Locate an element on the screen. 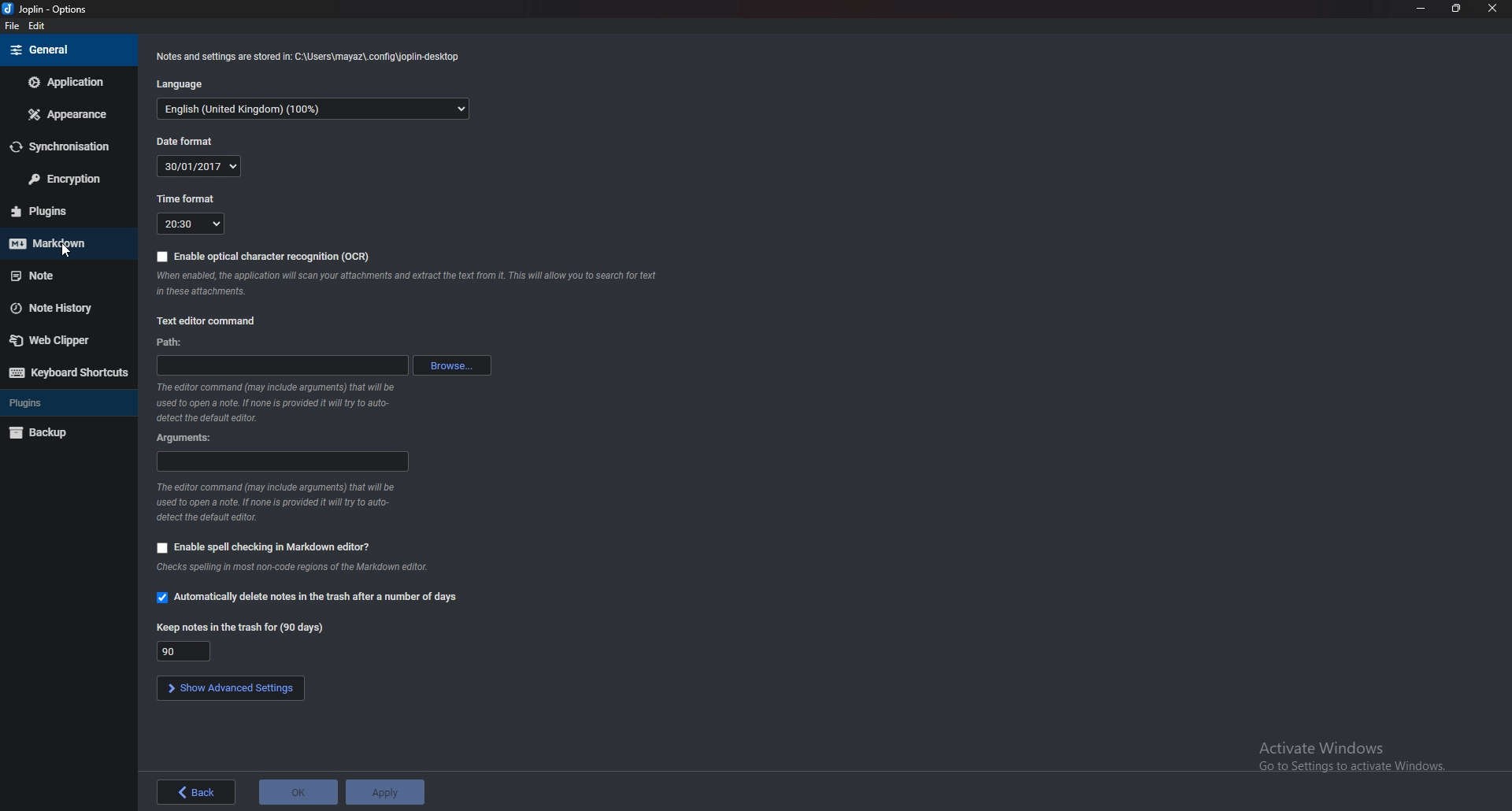 Image resolution: width=1512 pixels, height=811 pixels. web clipper is located at coordinates (65, 340).